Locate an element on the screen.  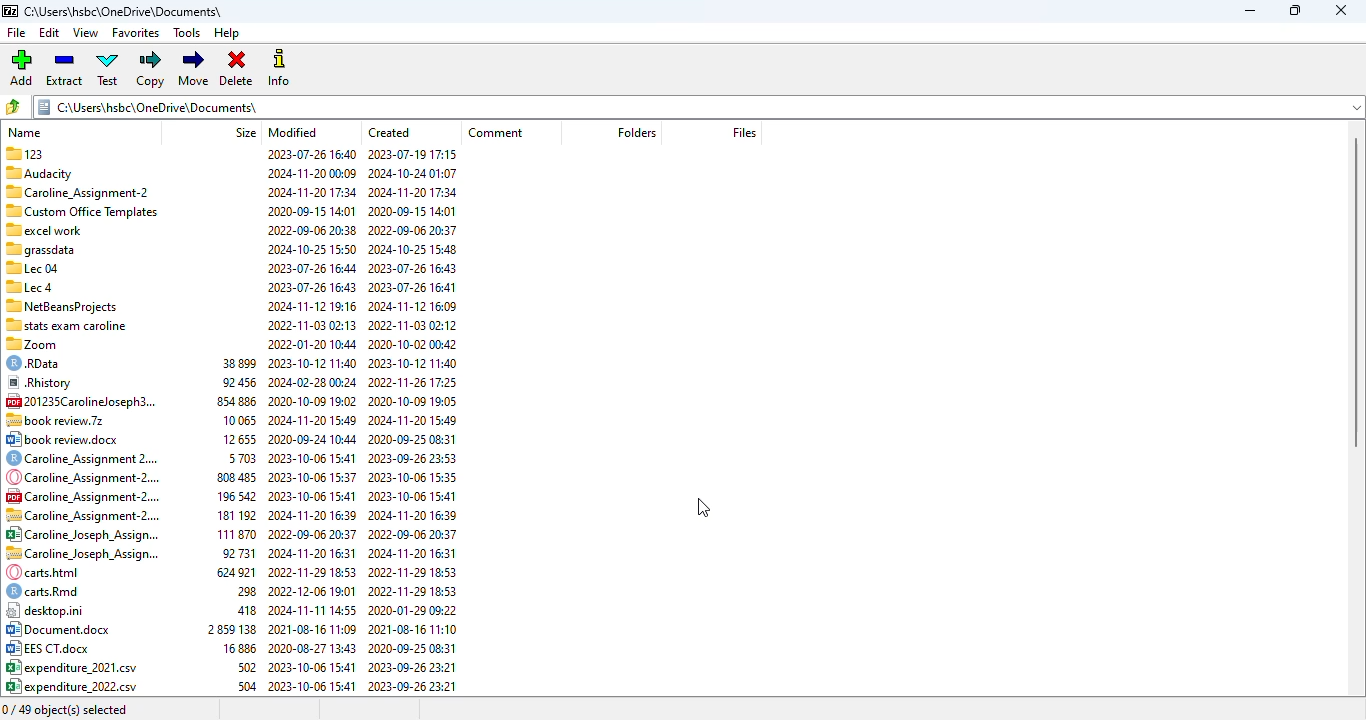
maximize is located at coordinates (1295, 11).